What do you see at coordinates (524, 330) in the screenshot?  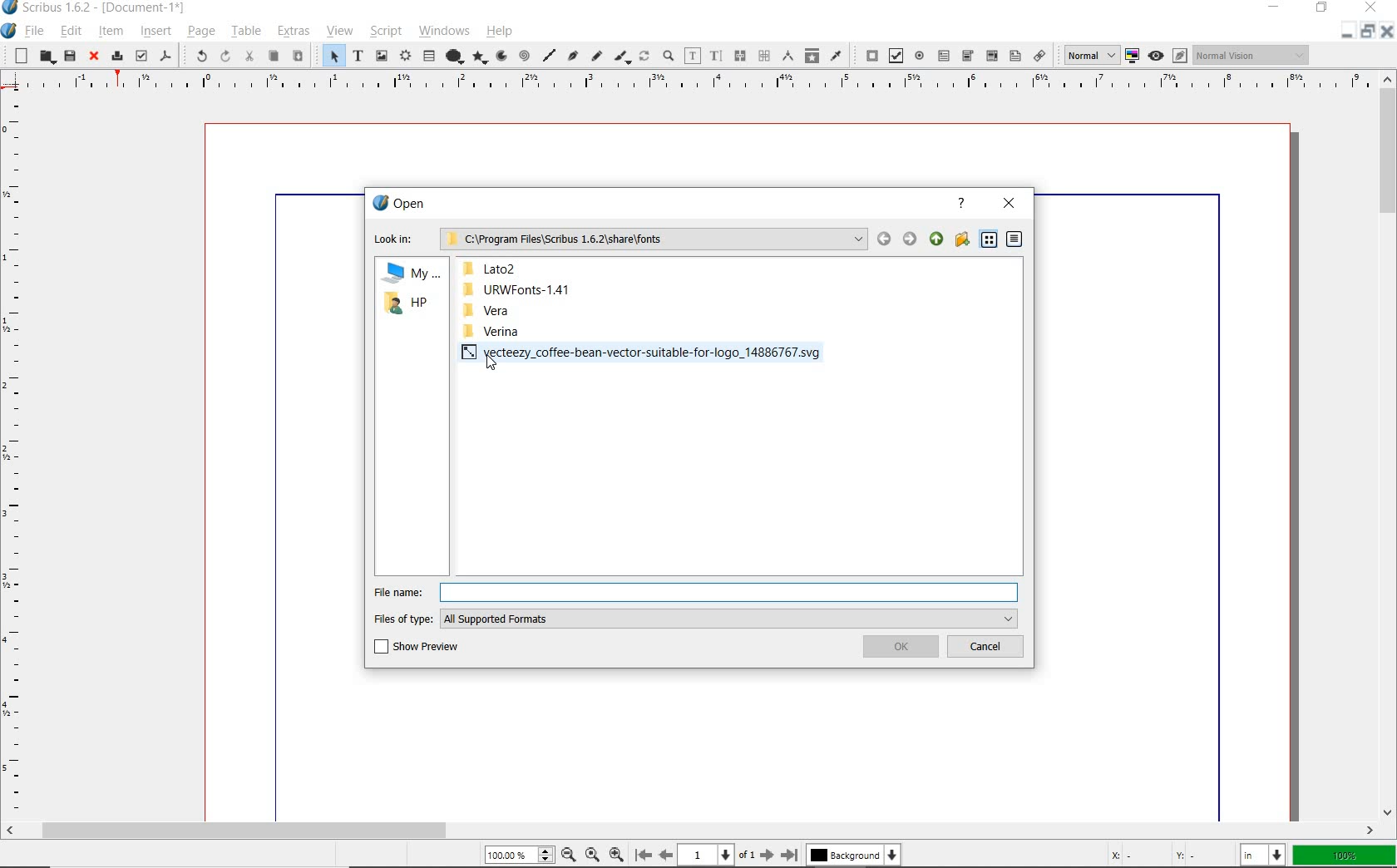 I see `verina` at bounding box center [524, 330].